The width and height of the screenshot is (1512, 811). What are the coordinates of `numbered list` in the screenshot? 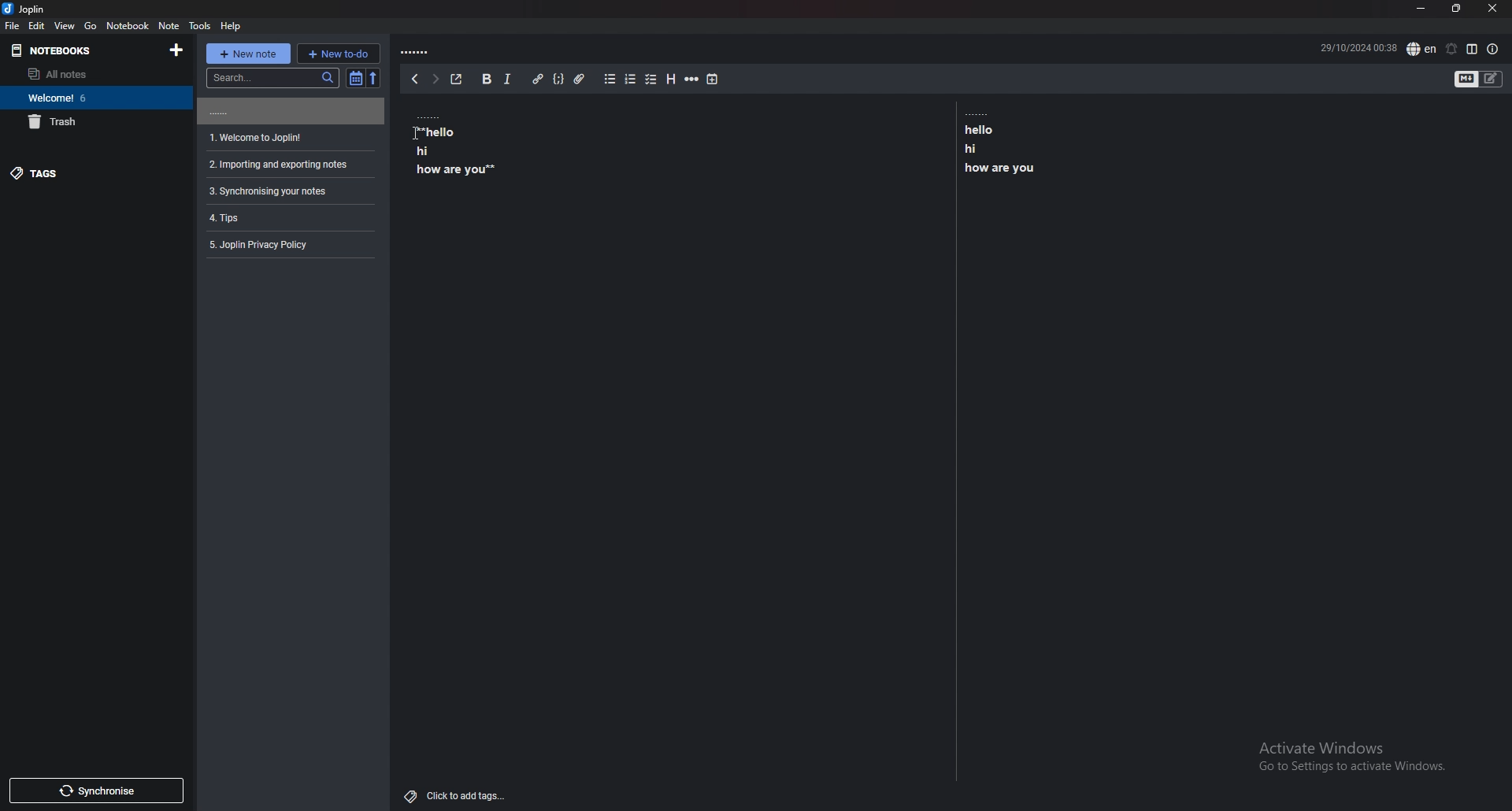 It's located at (631, 80).